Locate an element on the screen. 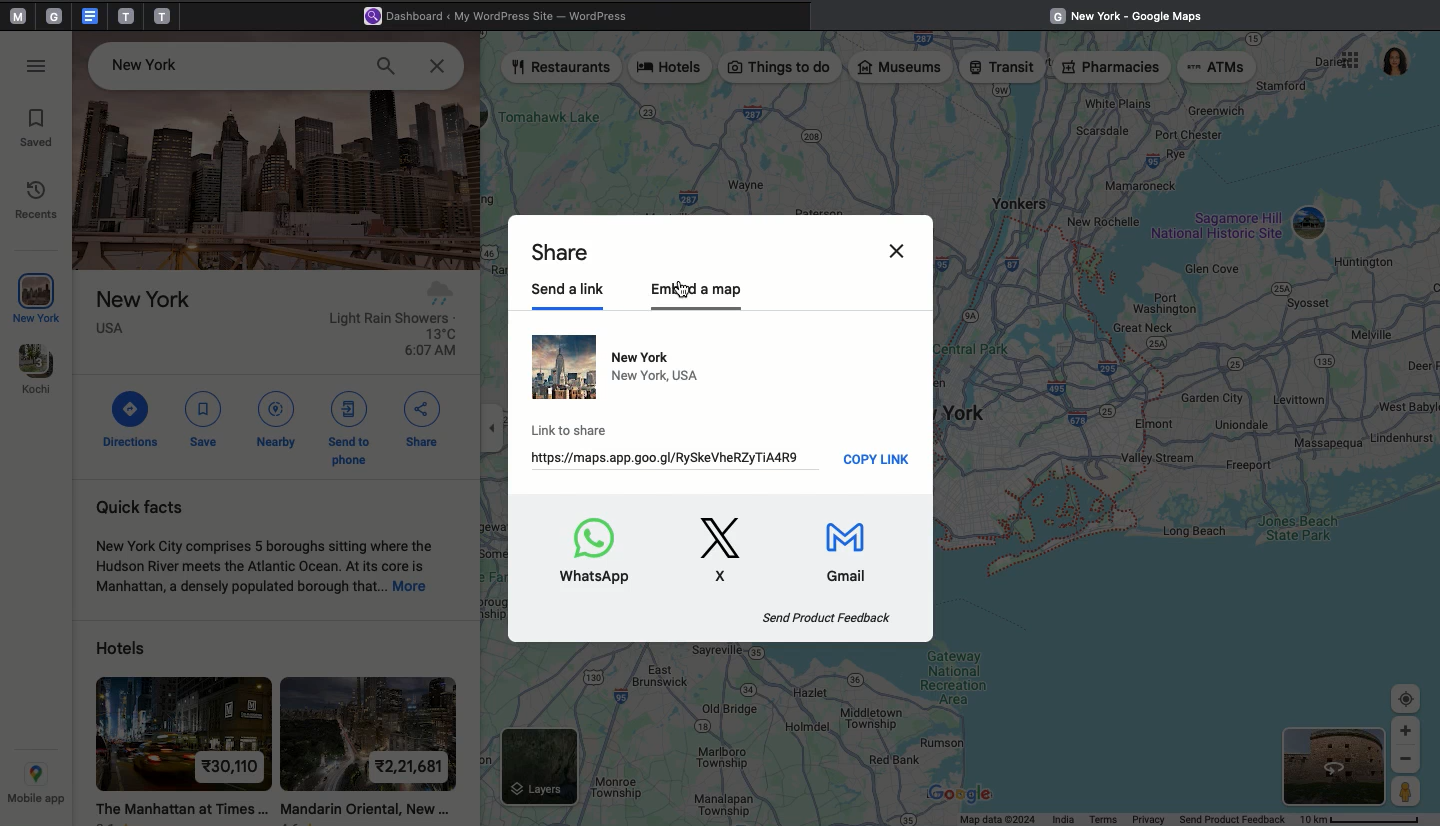  Google maps is located at coordinates (1133, 14).